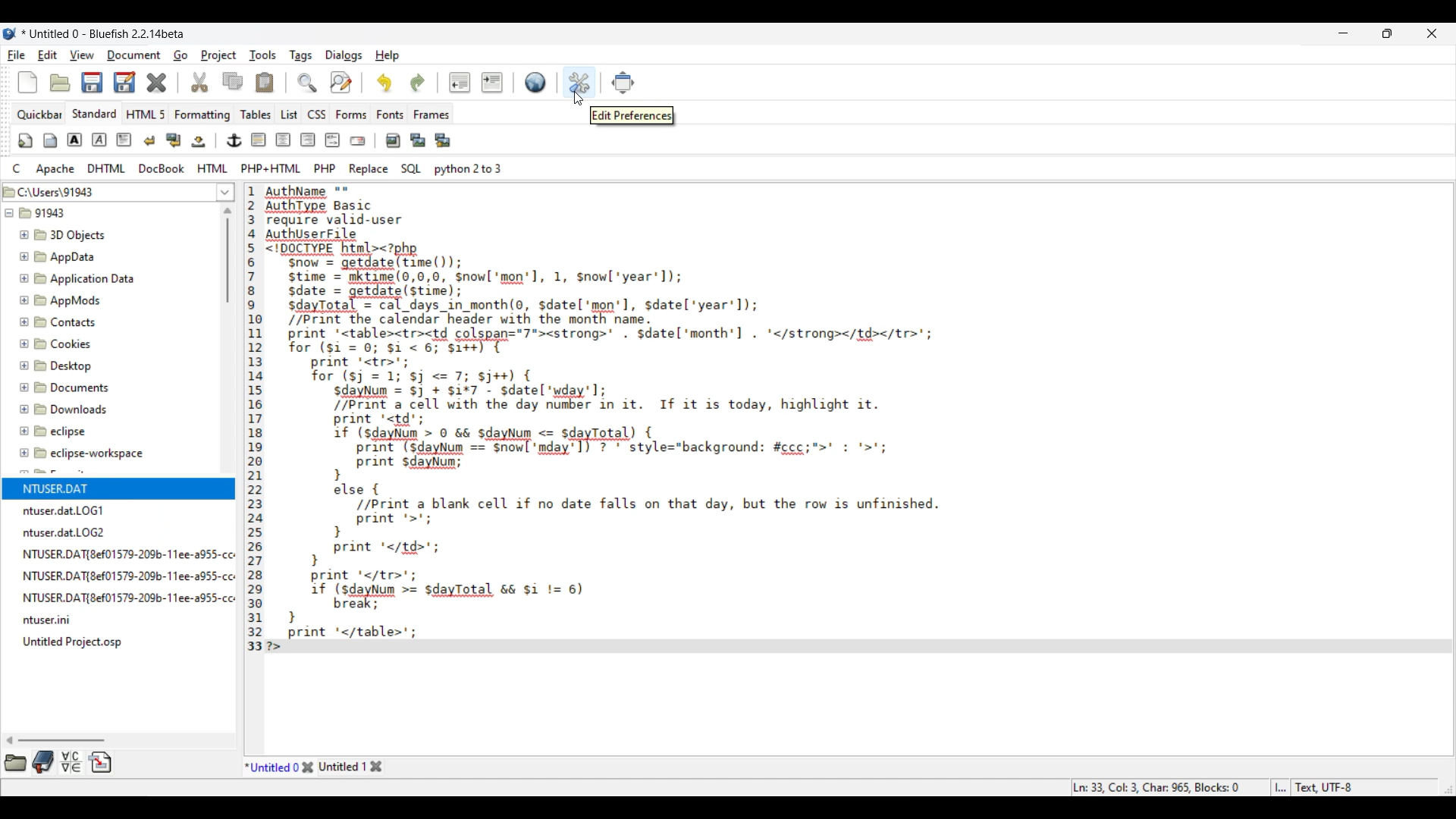  Describe the element at coordinates (1432, 33) in the screenshot. I see `Close interface` at that location.